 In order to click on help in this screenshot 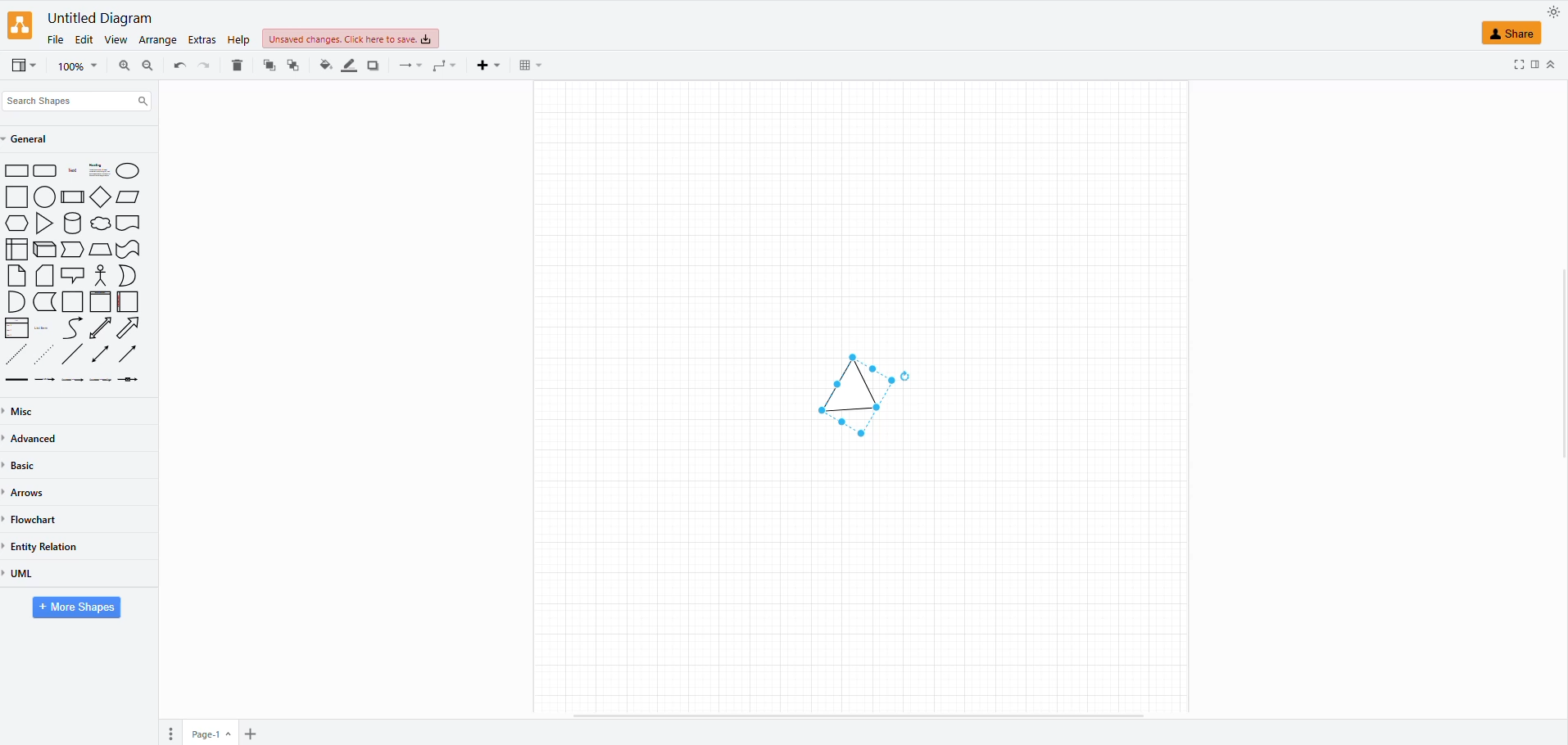, I will do `click(238, 41)`.